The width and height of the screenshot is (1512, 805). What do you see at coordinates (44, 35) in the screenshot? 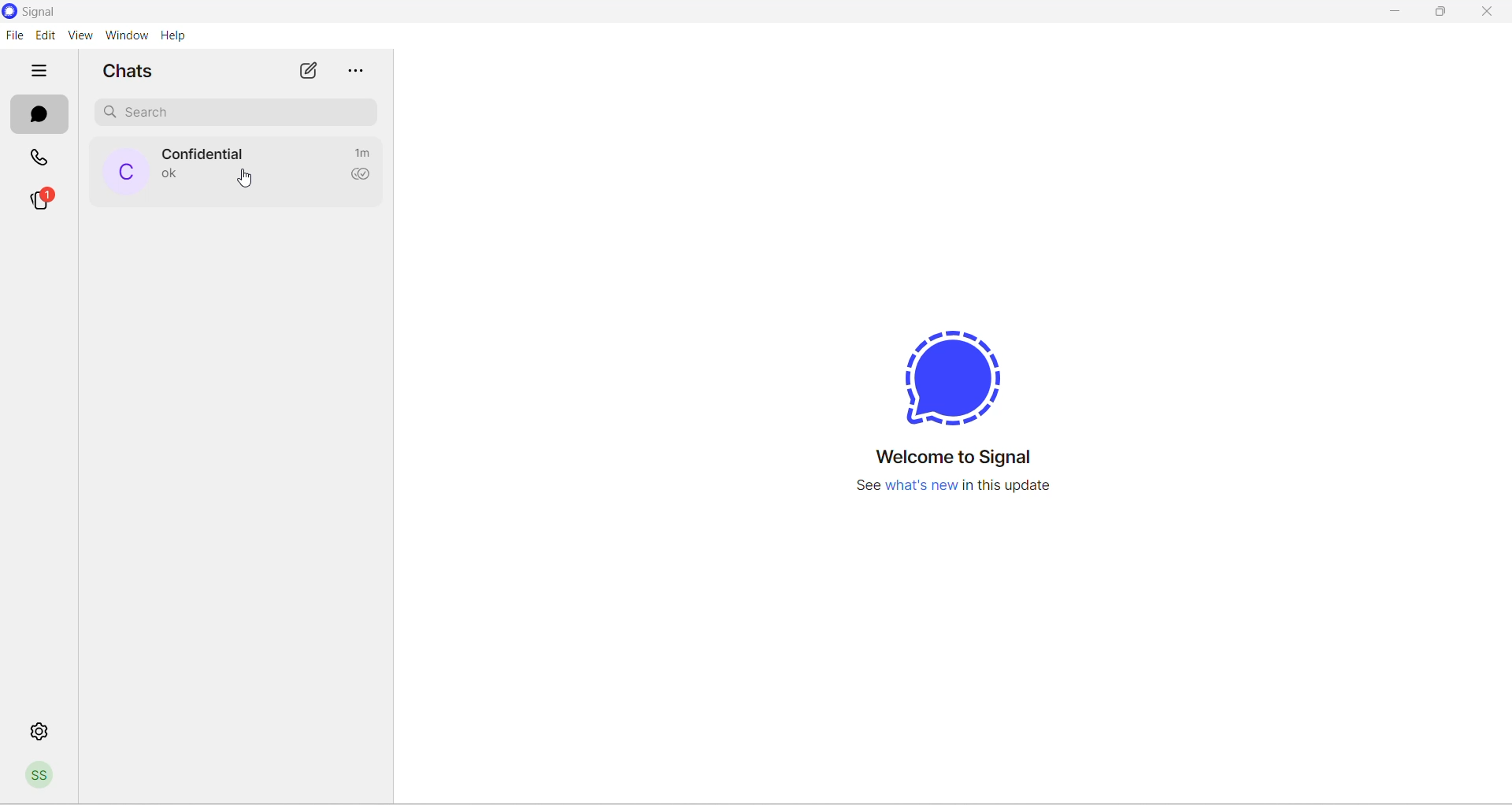
I see `edit` at bounding box center [44, 35].